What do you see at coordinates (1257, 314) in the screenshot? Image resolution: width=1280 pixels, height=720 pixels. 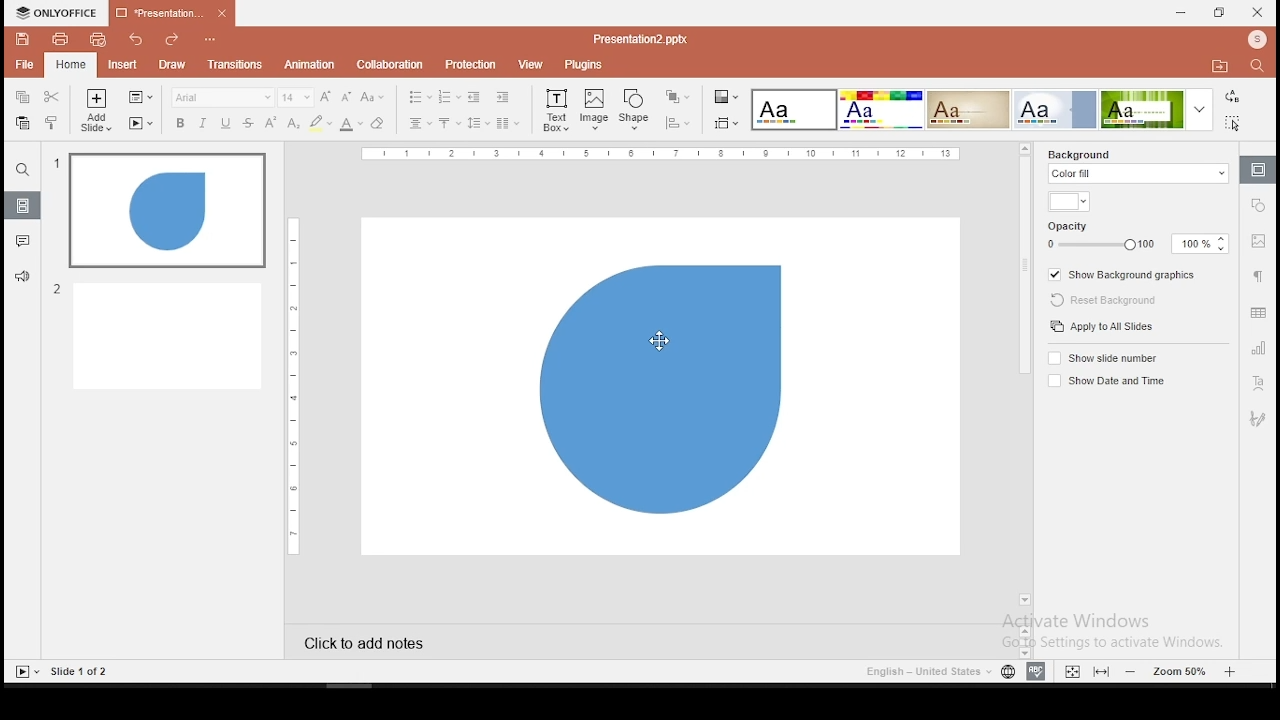 I see `table settings` at bounding box center [1257, 314].